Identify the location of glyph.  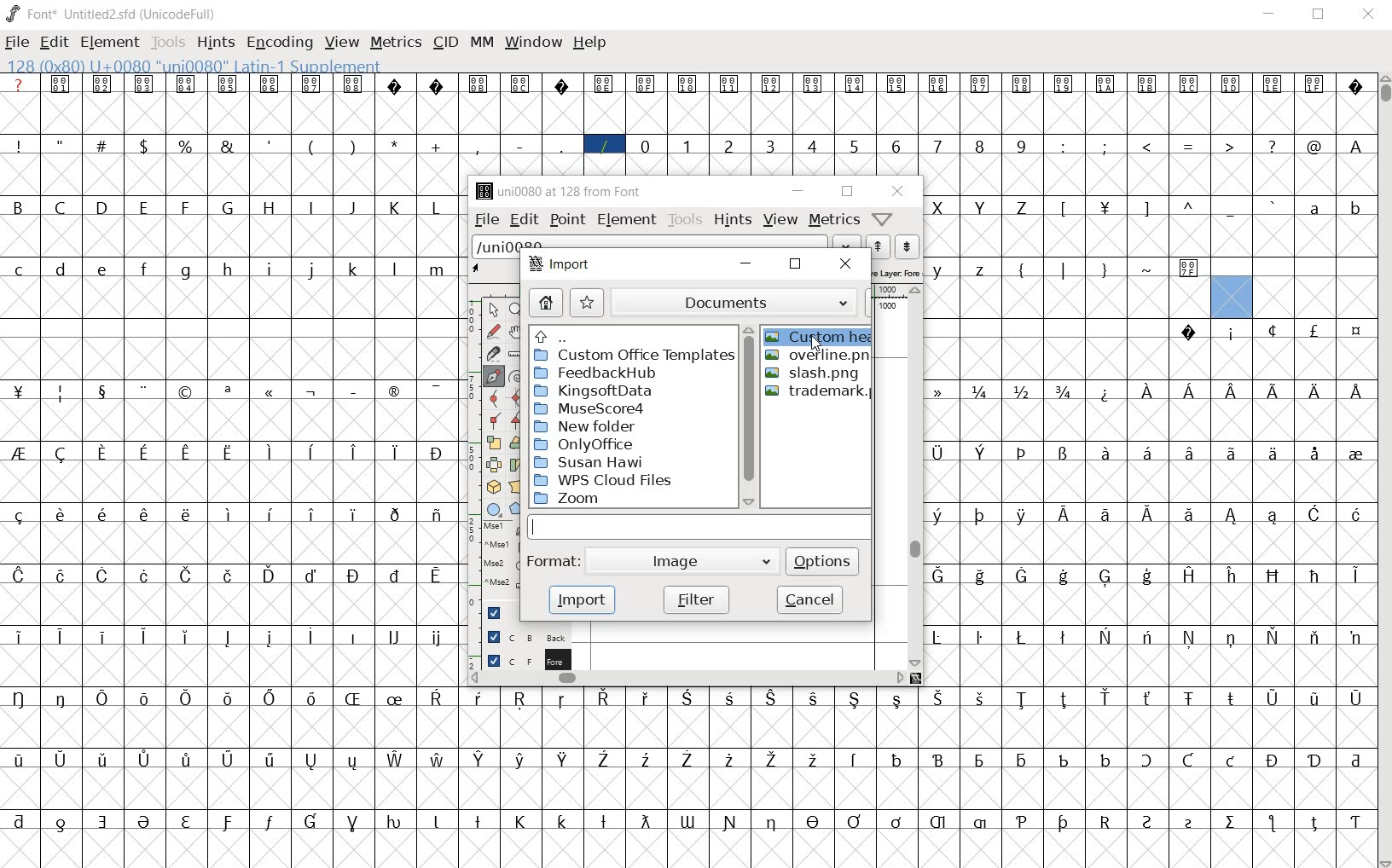
(435, 208).